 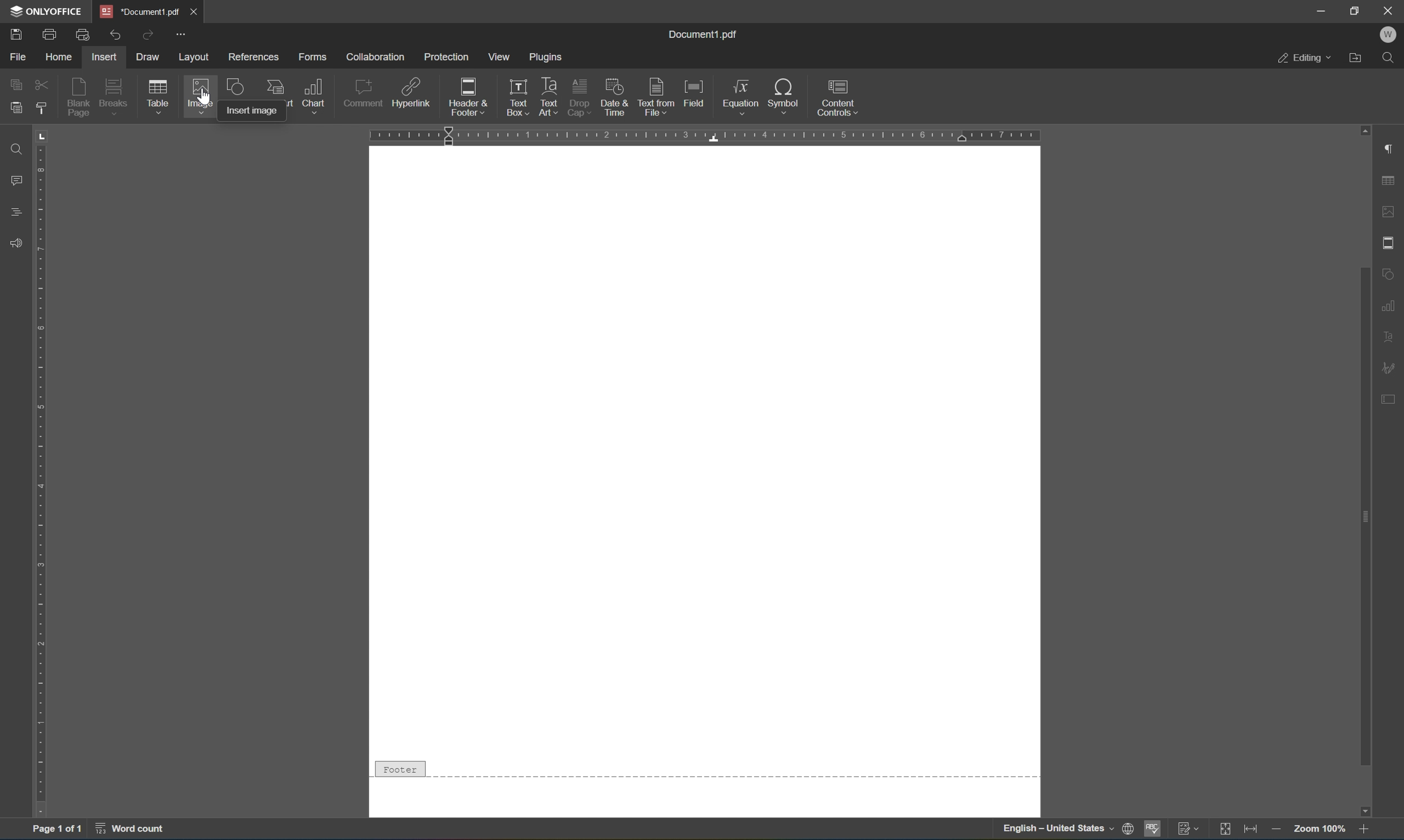 I want to click on header & footer, so click(x=461, y=98).